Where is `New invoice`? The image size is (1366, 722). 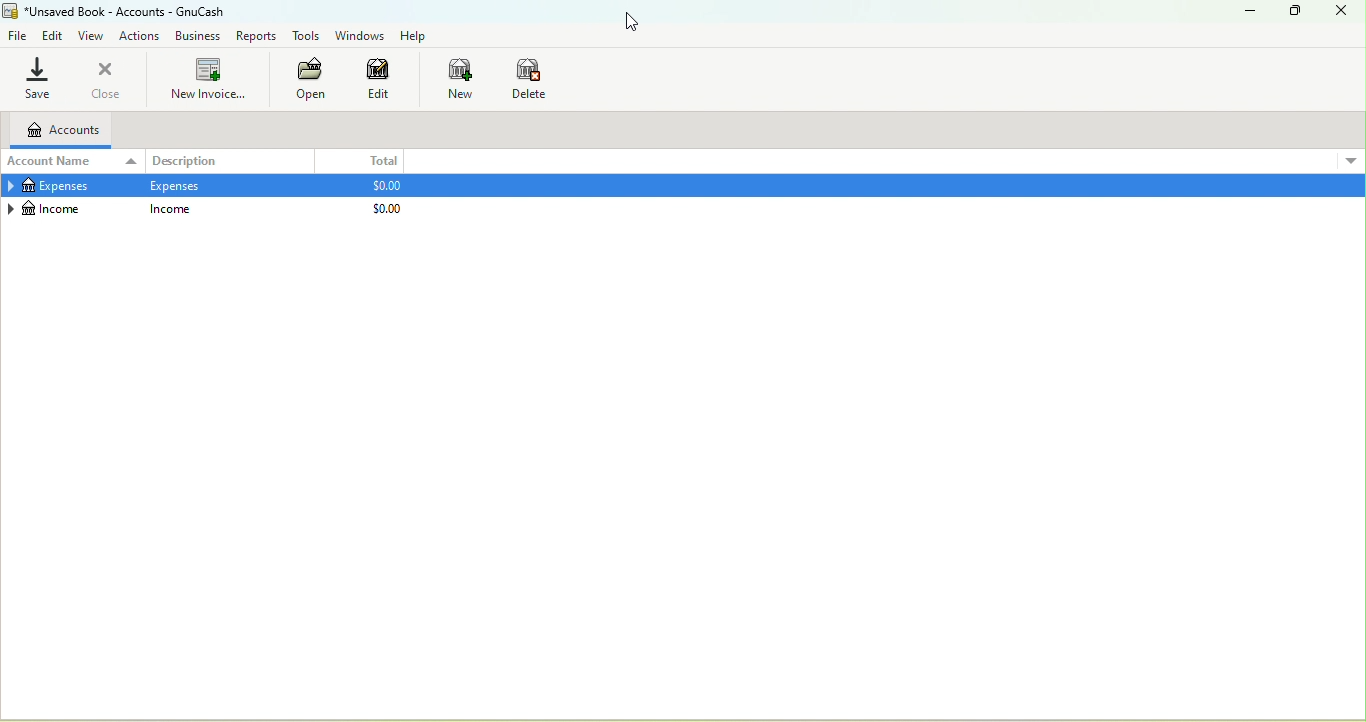 New invoice is located at coordinates (208, 79).